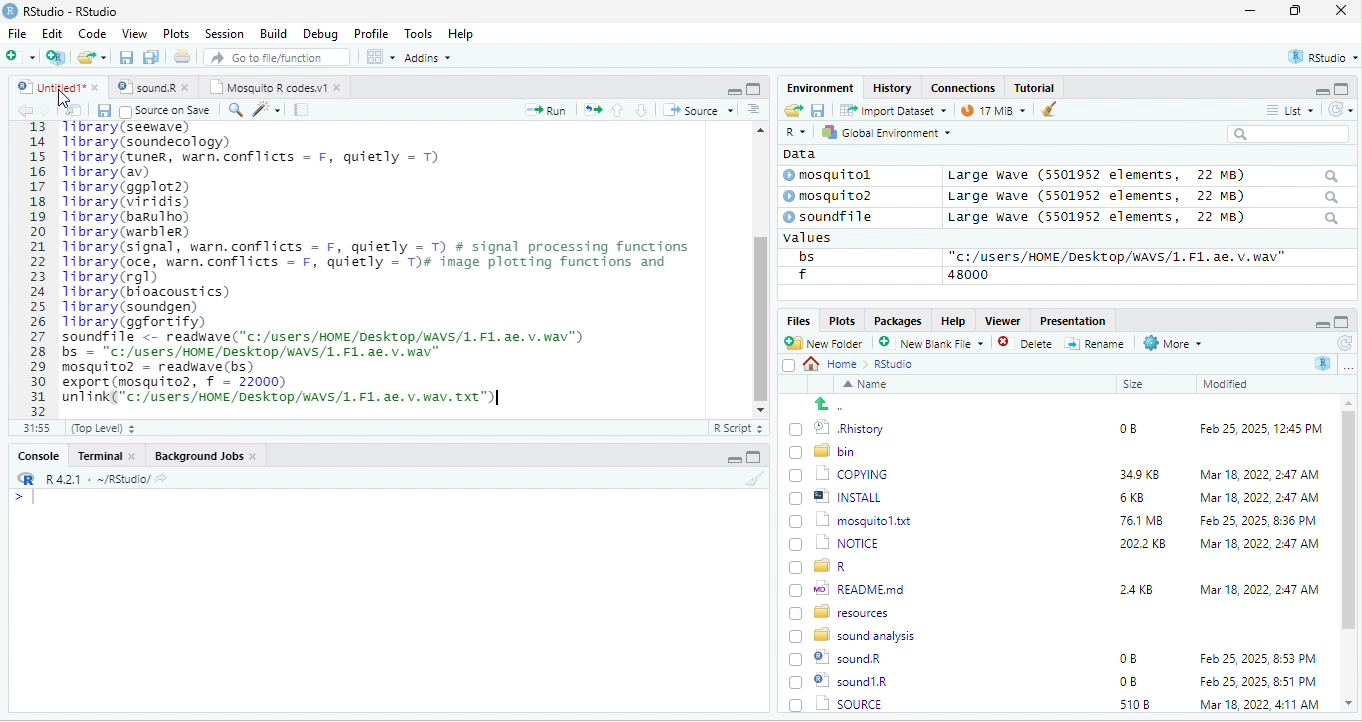 This screenshot has height=722, width=1362. Describe the element at coordinates (380, 57) in the screenshot. I see `view` at that location.